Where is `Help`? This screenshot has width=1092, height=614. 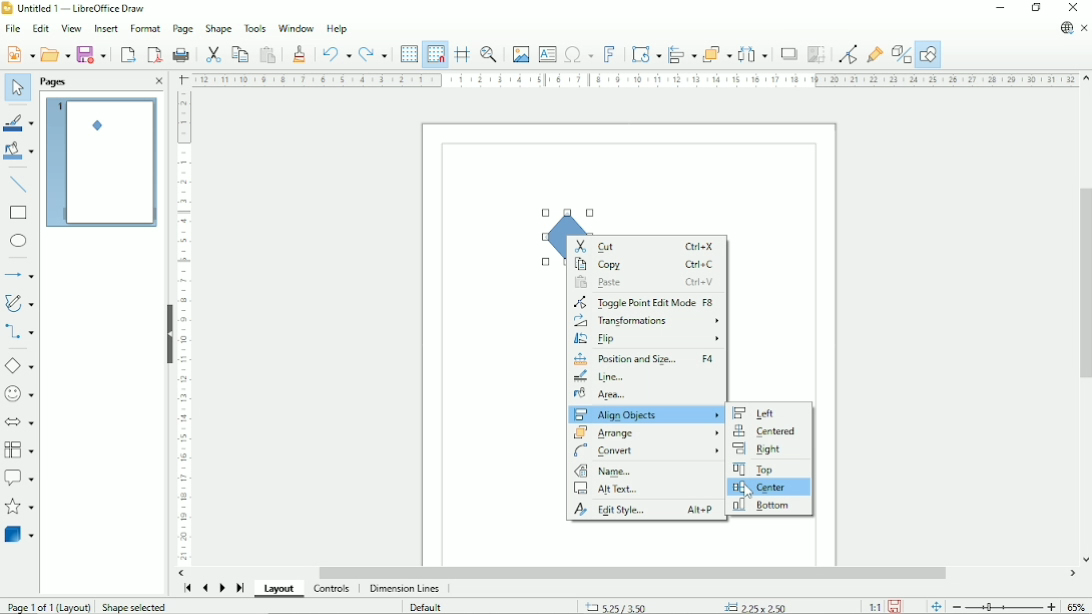 Help is located at coordinates (337, 28).